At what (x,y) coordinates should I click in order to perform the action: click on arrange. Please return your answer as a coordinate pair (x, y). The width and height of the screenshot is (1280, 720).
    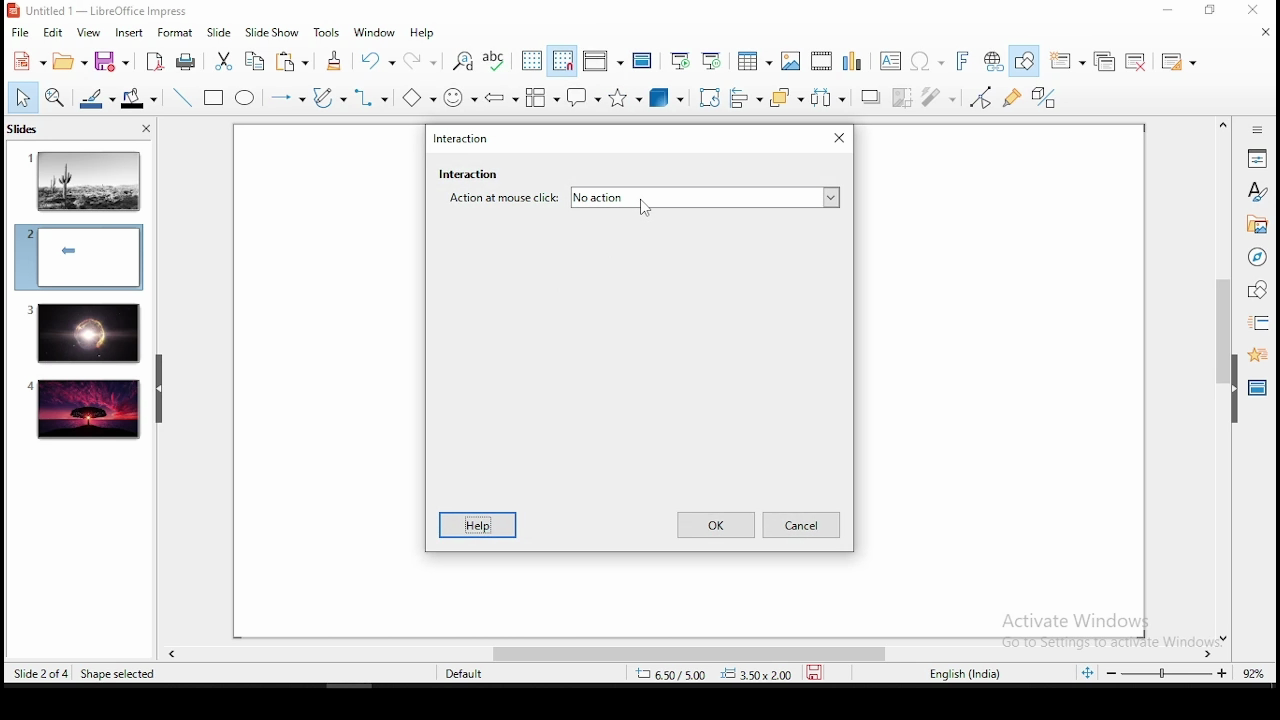
    Looking at the image, I should click on (785, 99).